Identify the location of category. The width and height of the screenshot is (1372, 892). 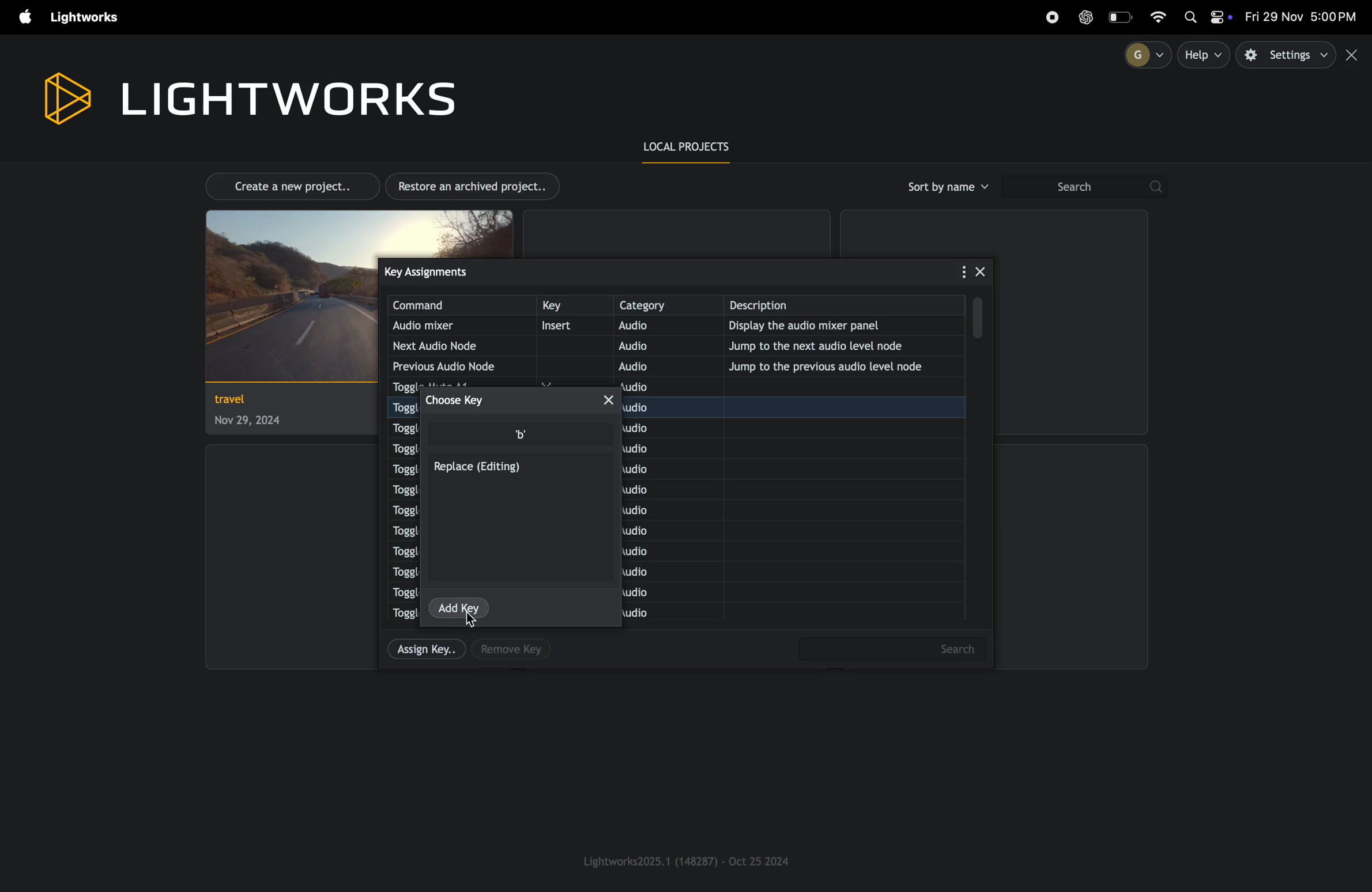
(666, 305).